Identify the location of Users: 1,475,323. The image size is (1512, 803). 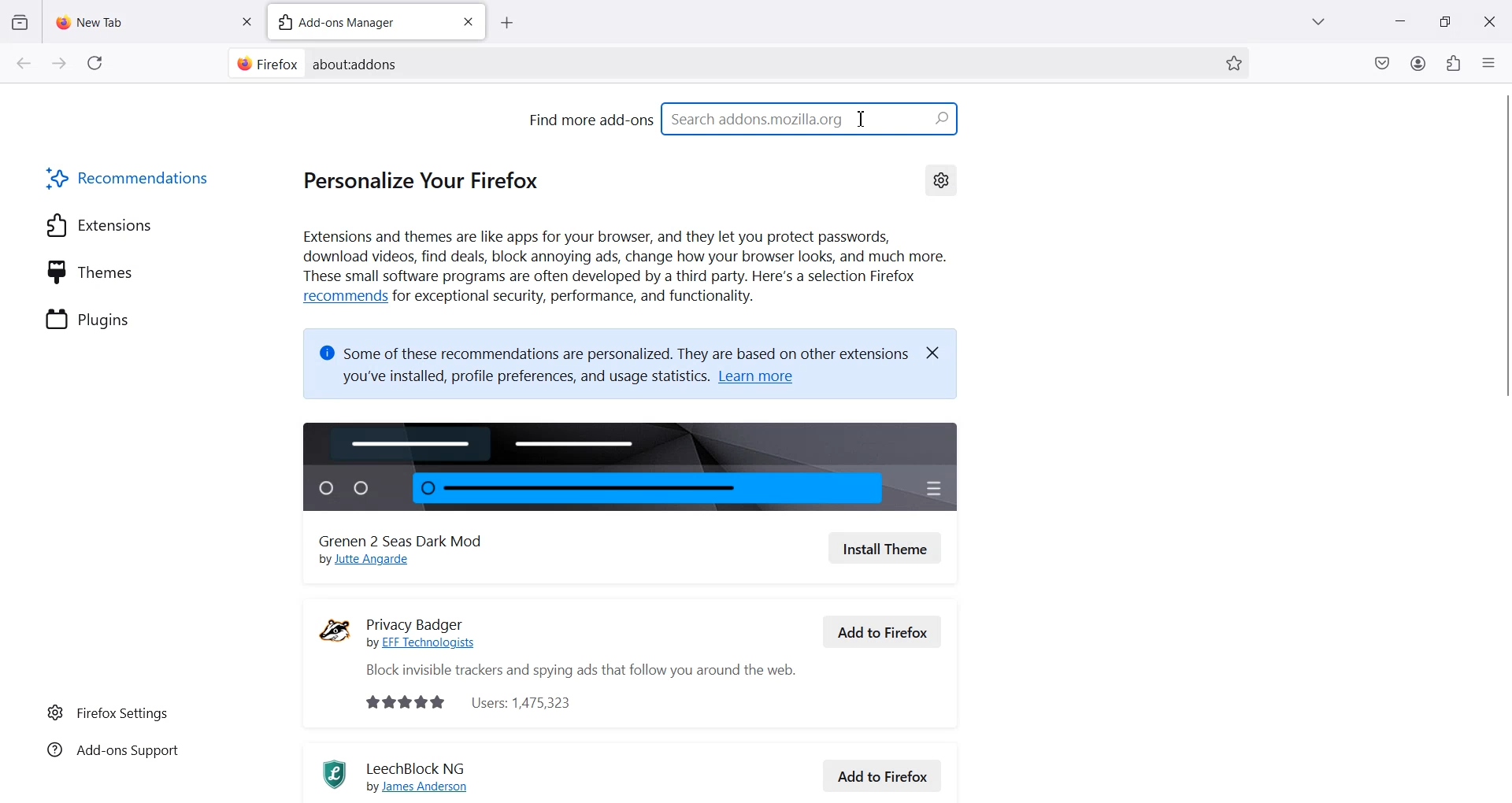
(530, 701).